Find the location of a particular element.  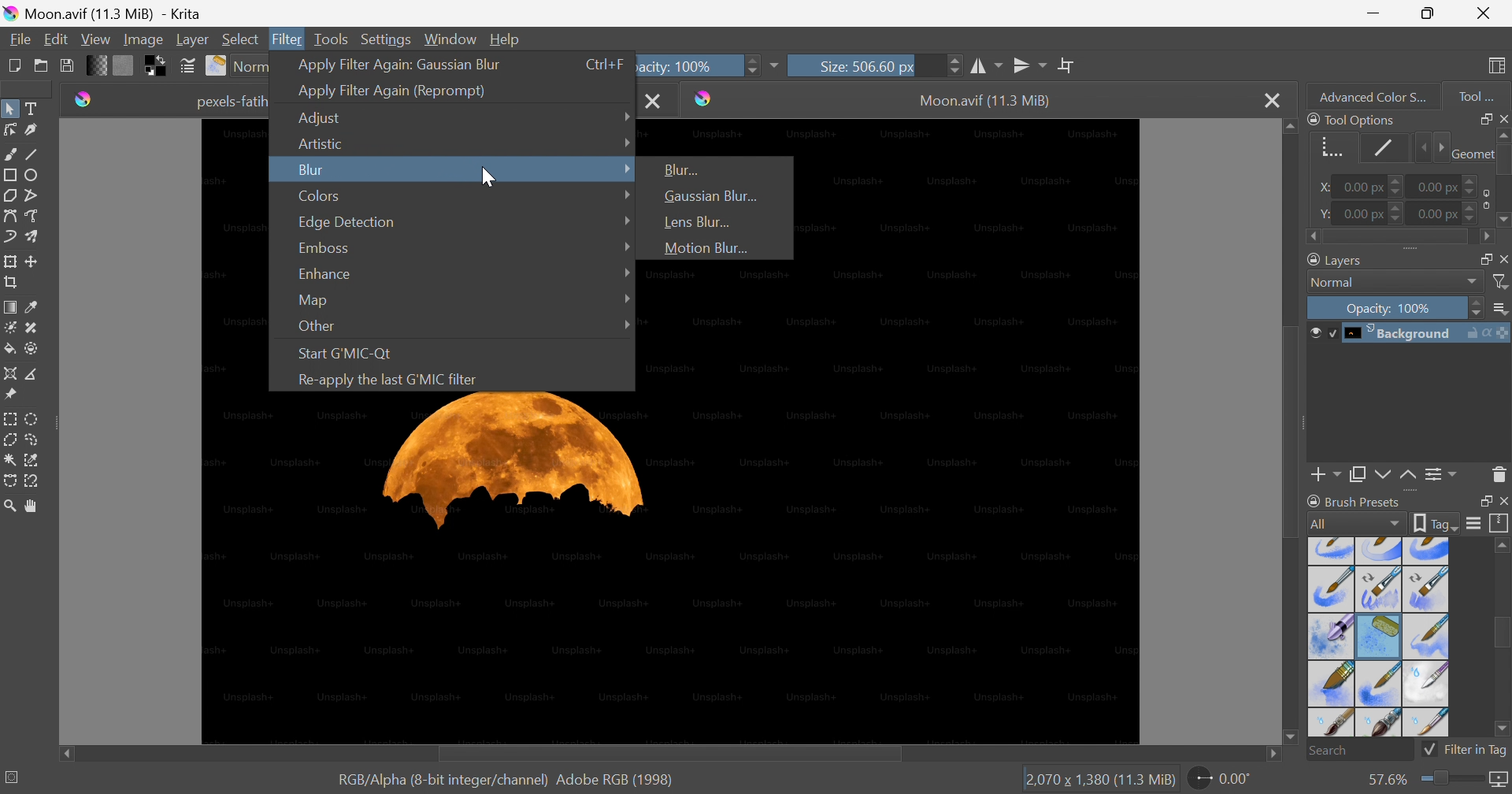

Other is located at coordinates (317, 325).